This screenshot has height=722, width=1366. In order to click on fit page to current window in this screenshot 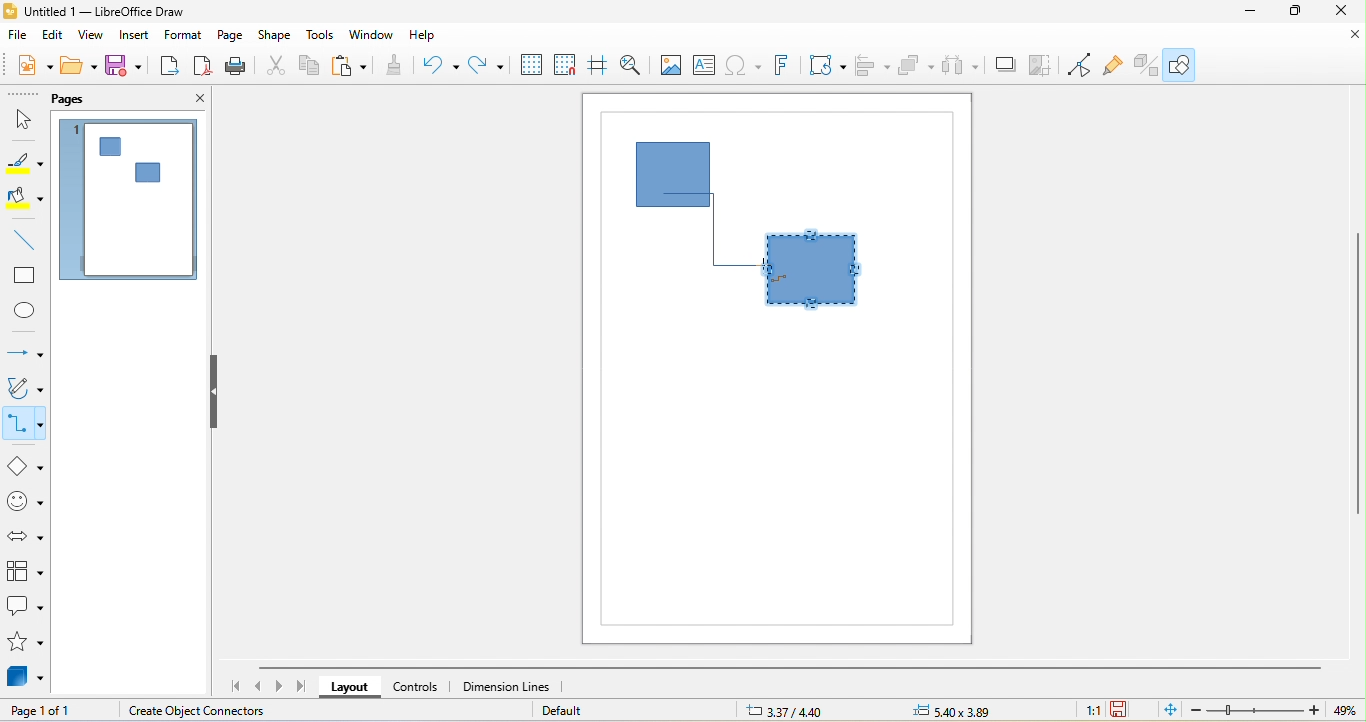, I will do `click(1167, 712)`.